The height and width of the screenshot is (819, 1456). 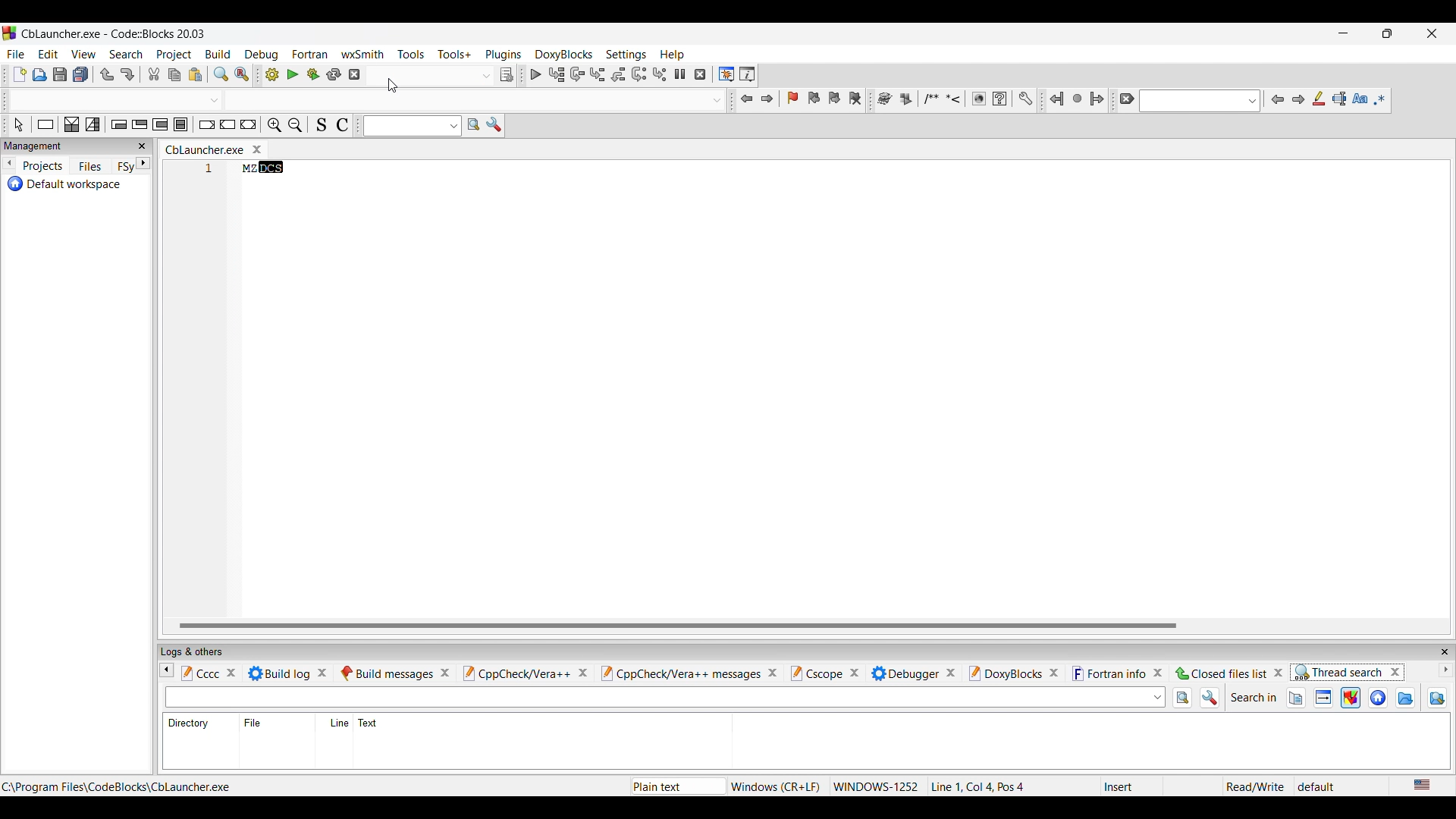 What do you see at coordinates (682, 673) in the screenshot?
I see `CppCheck/Vera++` at bounding box center [682, 673].